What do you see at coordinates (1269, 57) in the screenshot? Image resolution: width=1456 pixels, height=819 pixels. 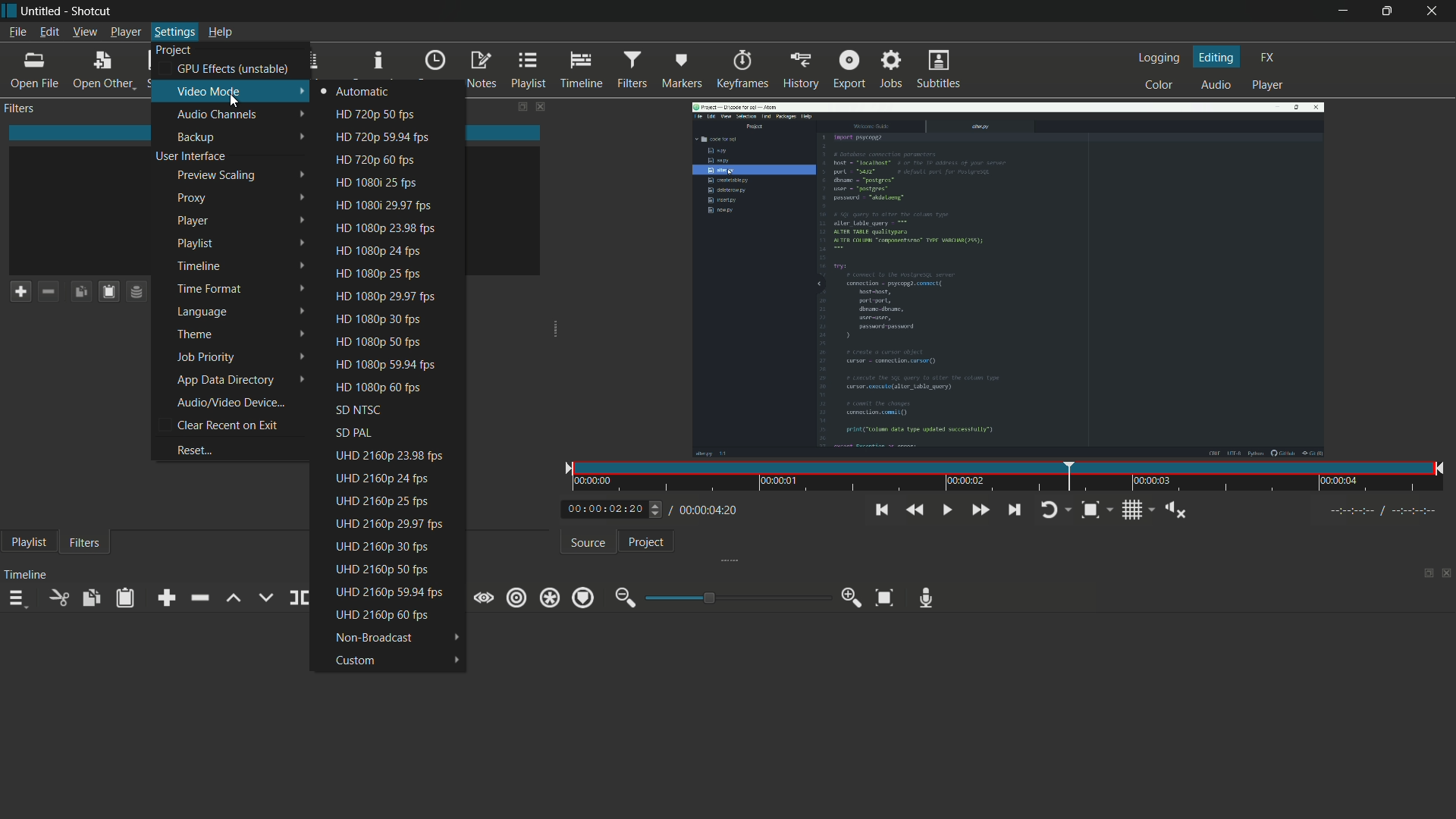 I see `fx` at bounding box center [1269, 57].